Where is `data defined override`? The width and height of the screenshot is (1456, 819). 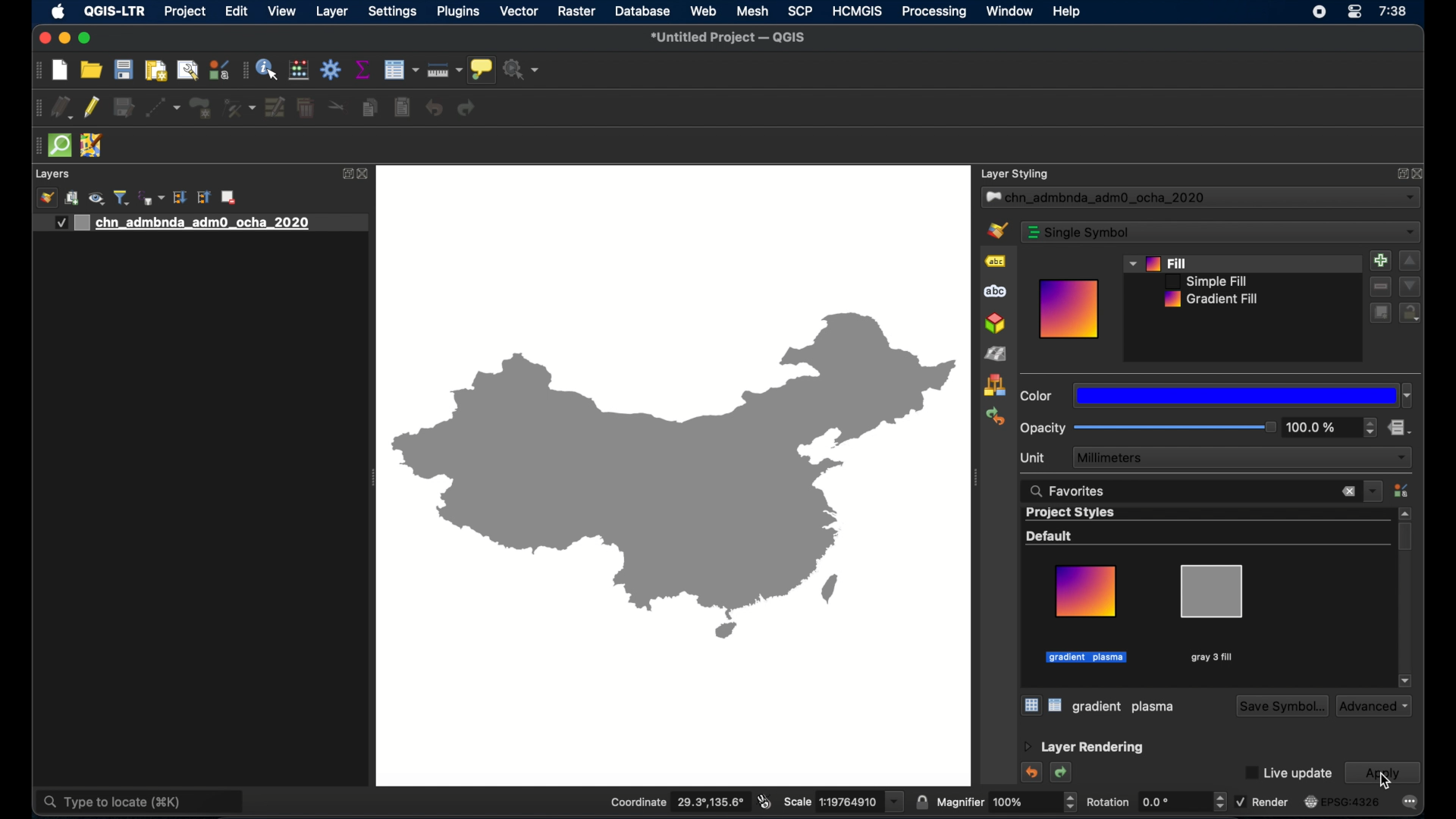 data defined override is located at coordinates (1399, 428).